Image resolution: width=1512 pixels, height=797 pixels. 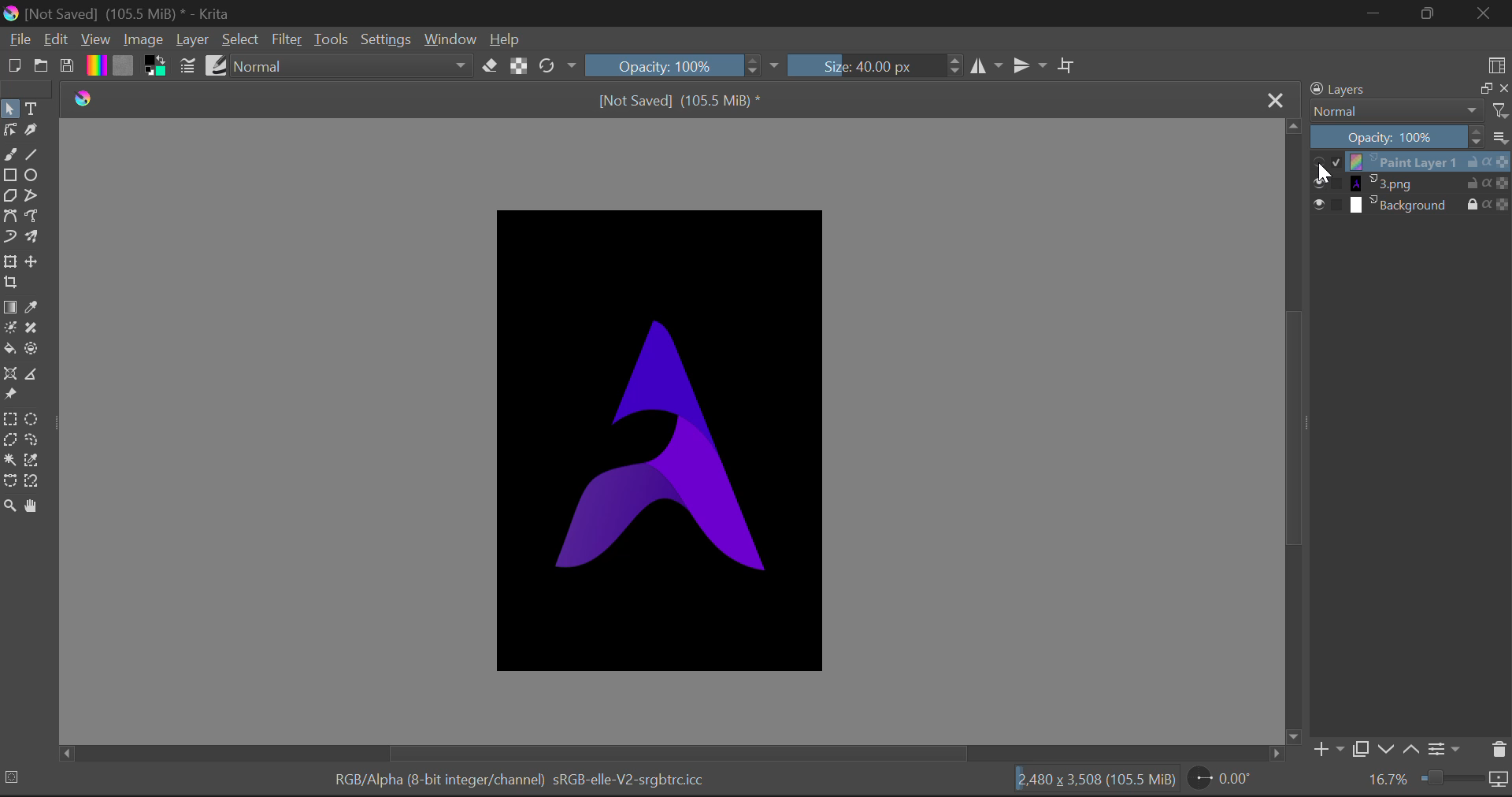 What do you see at coordinates (1099, 780) in the screenshot?
I see `12,480 x 3,508 (105.5 MiB)` at bounding box center [1099, 780].